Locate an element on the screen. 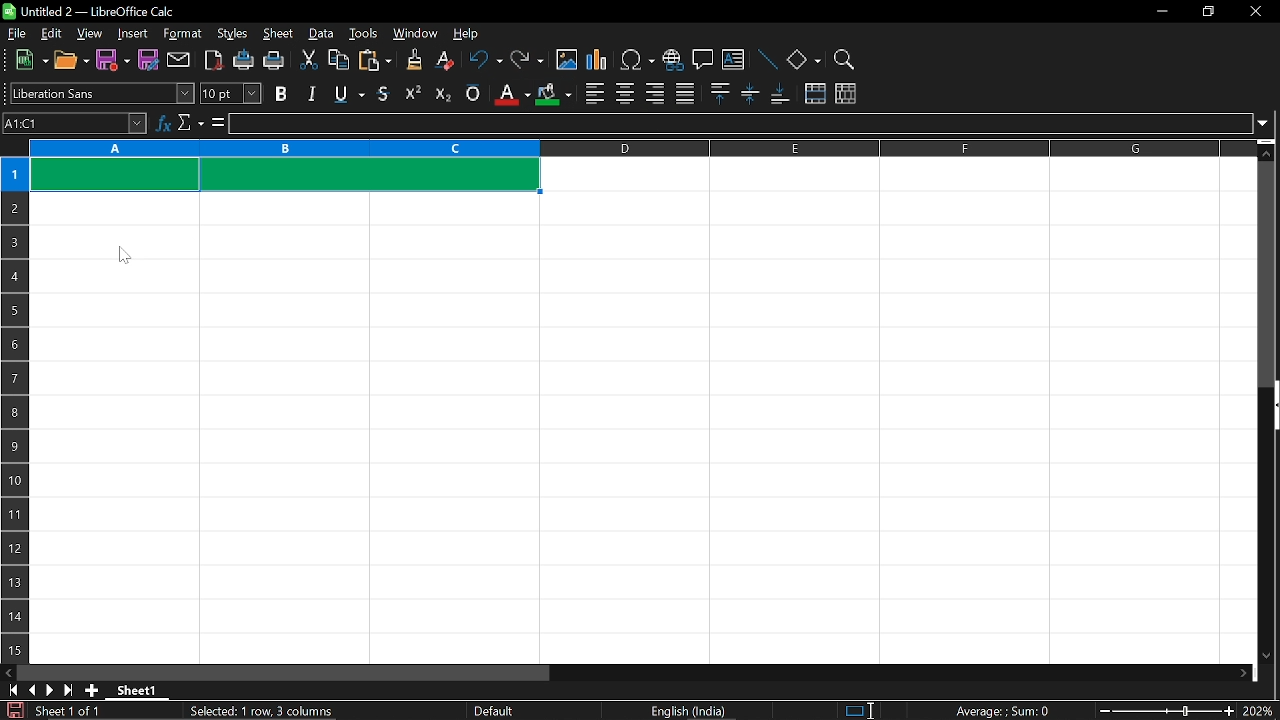 This screenshot has height=720, width=1280. underline is located at coordinates (346, 94).